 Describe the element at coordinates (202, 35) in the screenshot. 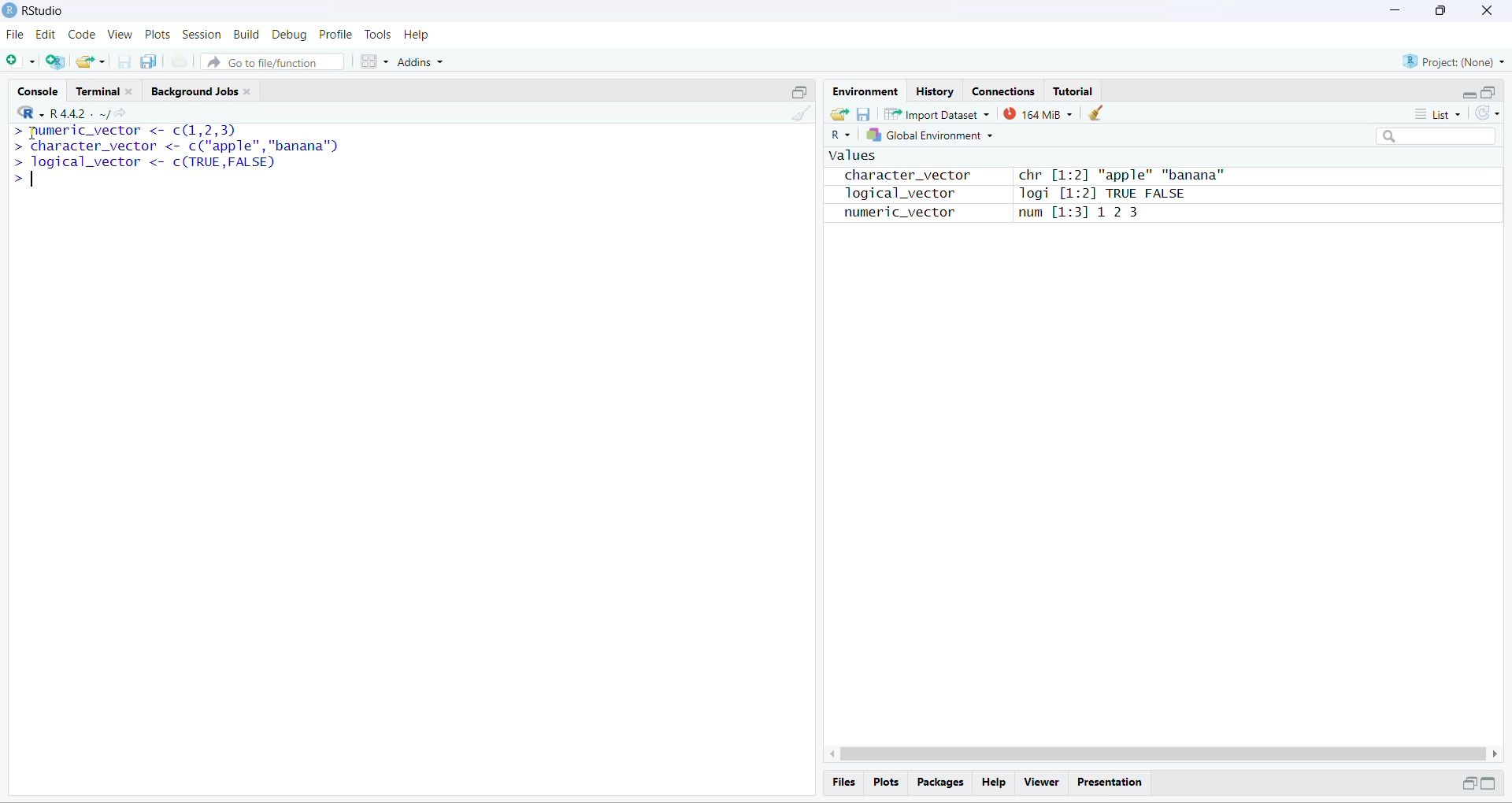

I see `Session` at that location.